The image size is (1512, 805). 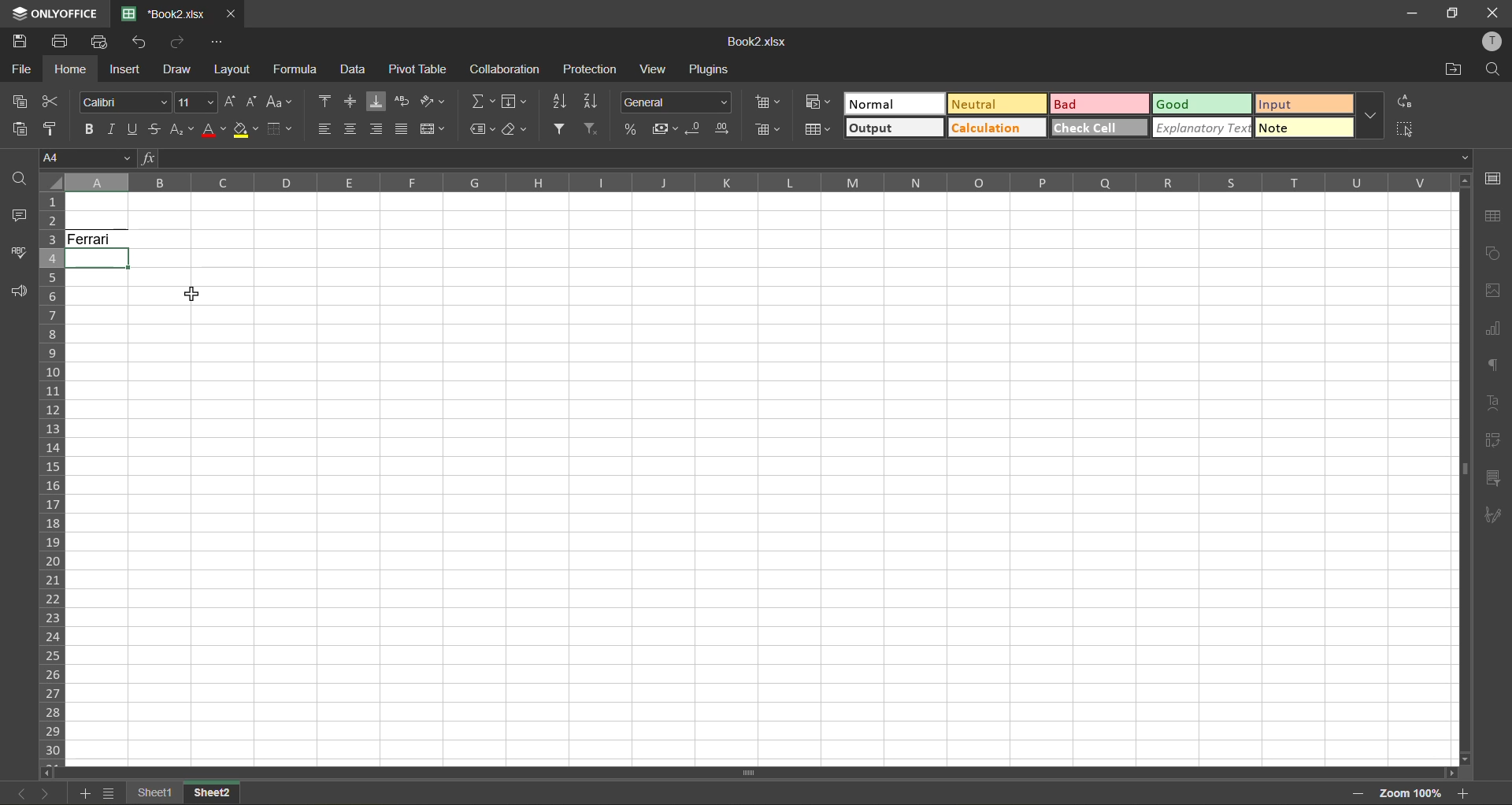 What do you see at coordinates (18, 254) in the screenshot?
I see `spellcheck` at bounding box center [18, 254].